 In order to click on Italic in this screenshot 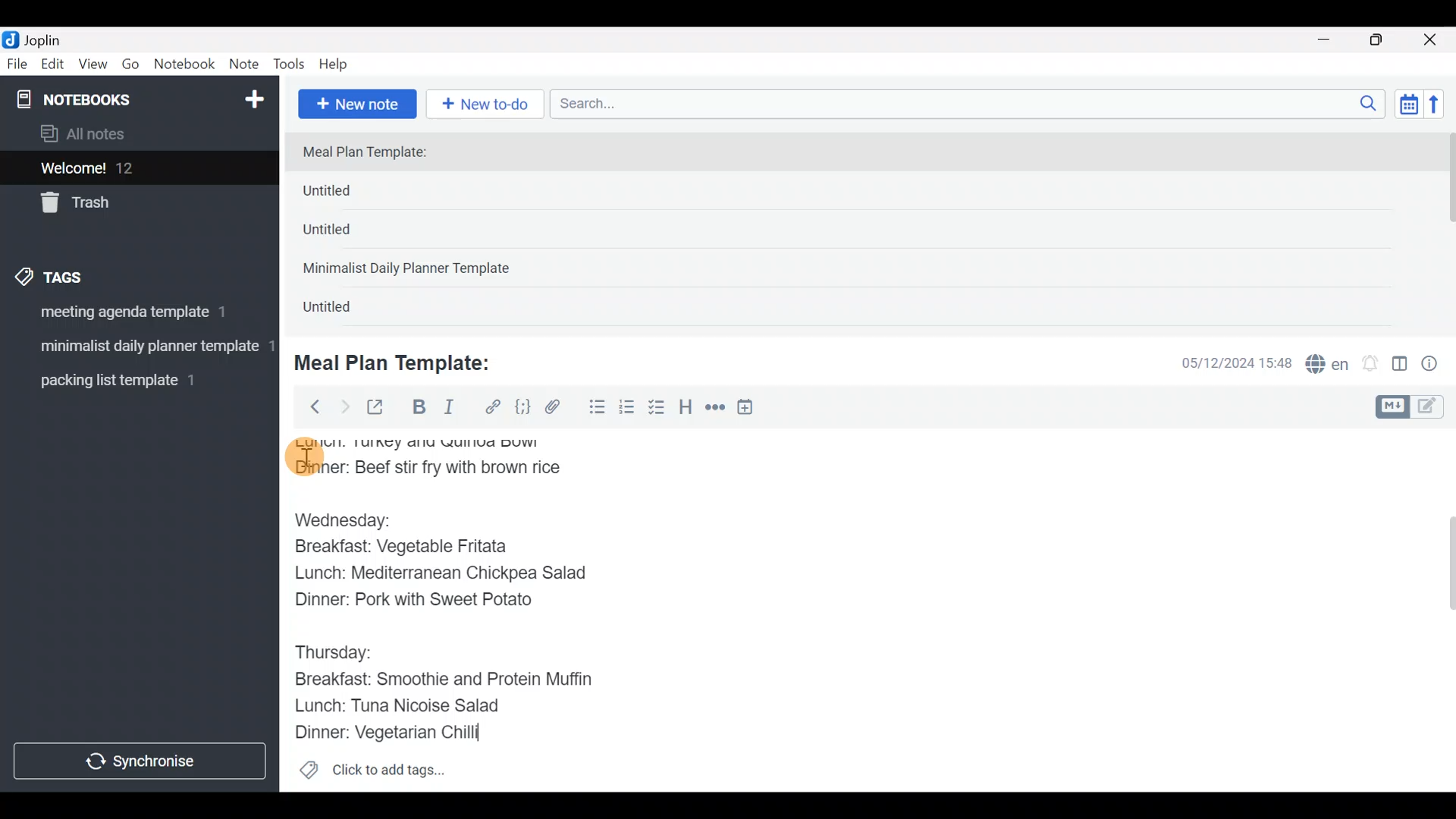, I will do `click(447, 410)`.